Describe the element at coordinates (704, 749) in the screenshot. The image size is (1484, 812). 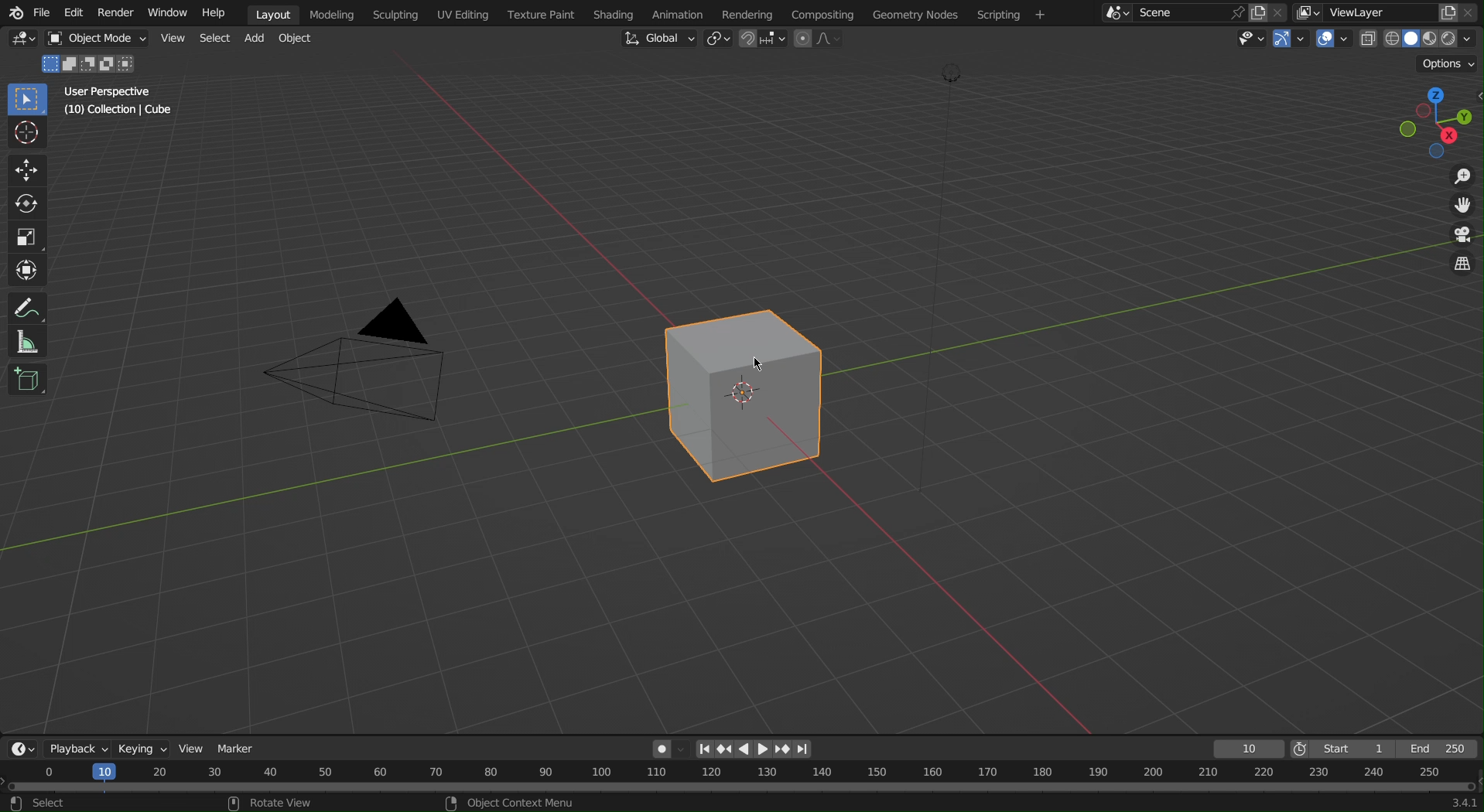
I see `First page` at that location.